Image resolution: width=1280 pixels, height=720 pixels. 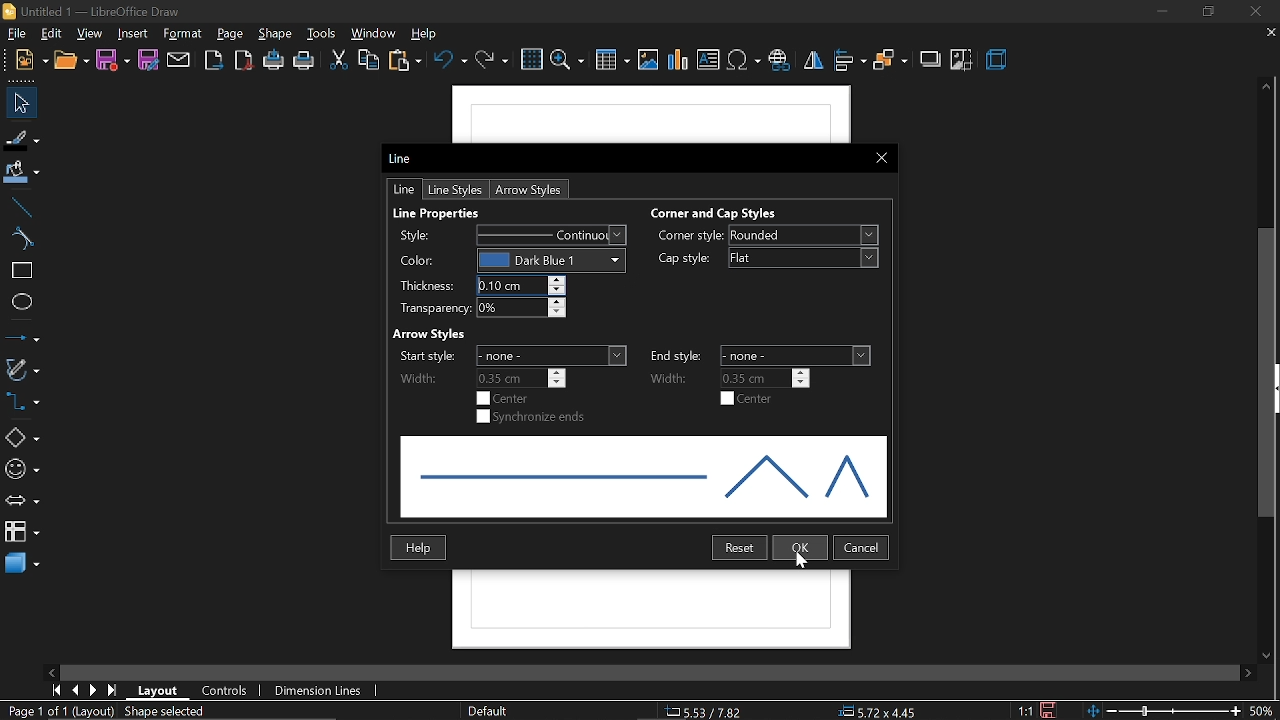 What do you see at coordinates (649, 61) in the screenshot?
I see `insert image` at bounding box center [649, 61].